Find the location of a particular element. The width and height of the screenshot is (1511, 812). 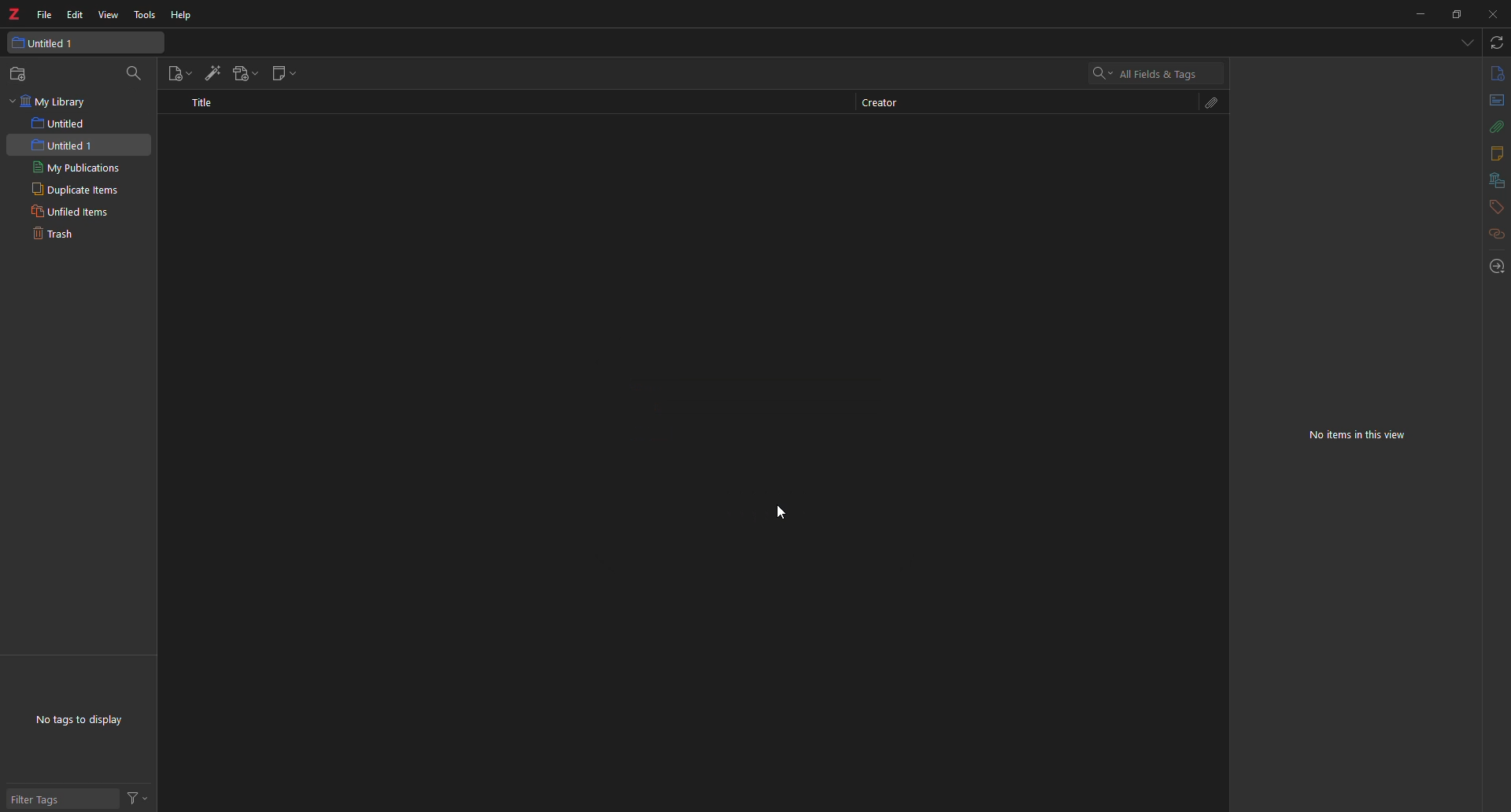

minimize is located at coordinates (1417, 14).